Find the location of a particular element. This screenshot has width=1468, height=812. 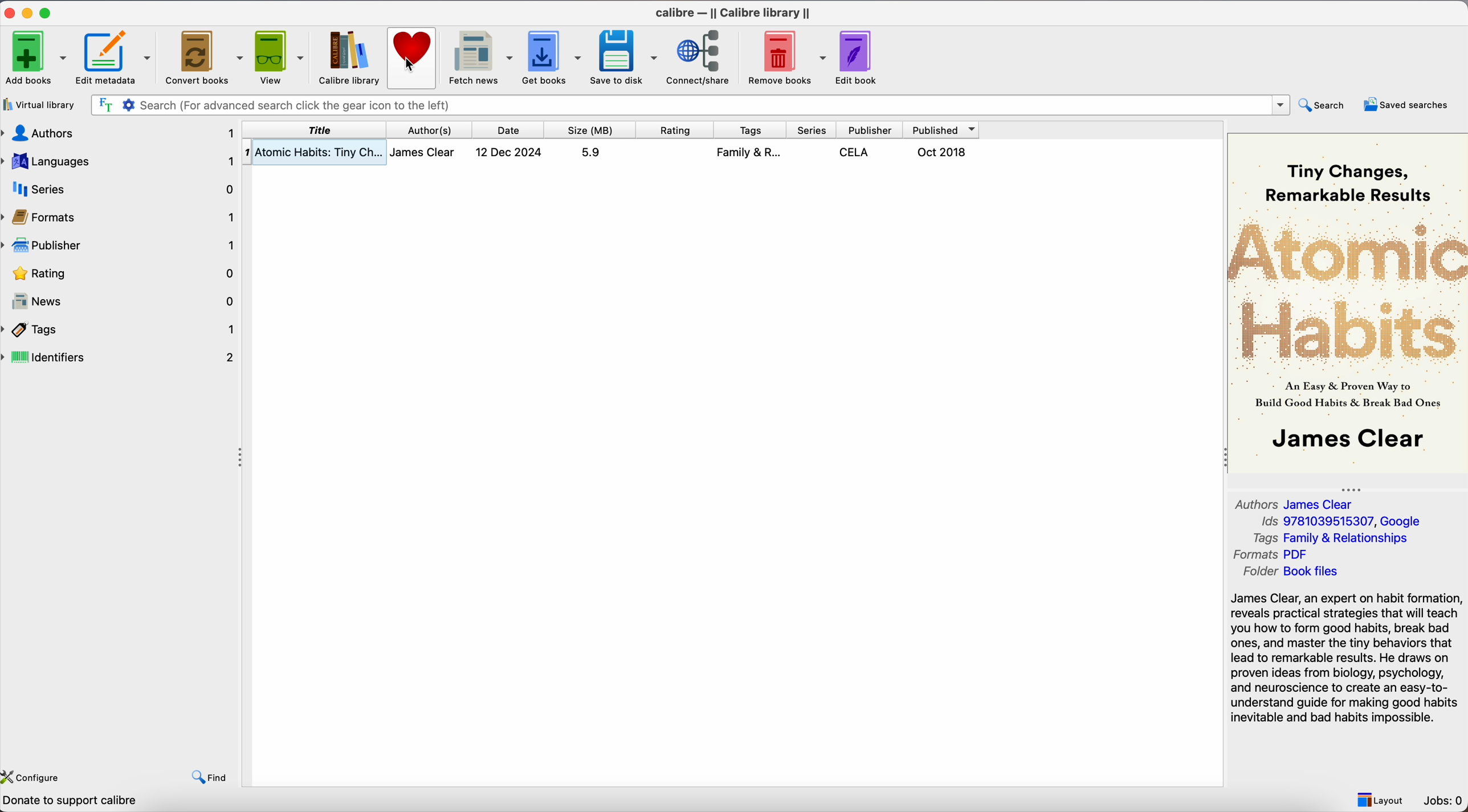

published is located at coordinates (943, 130).